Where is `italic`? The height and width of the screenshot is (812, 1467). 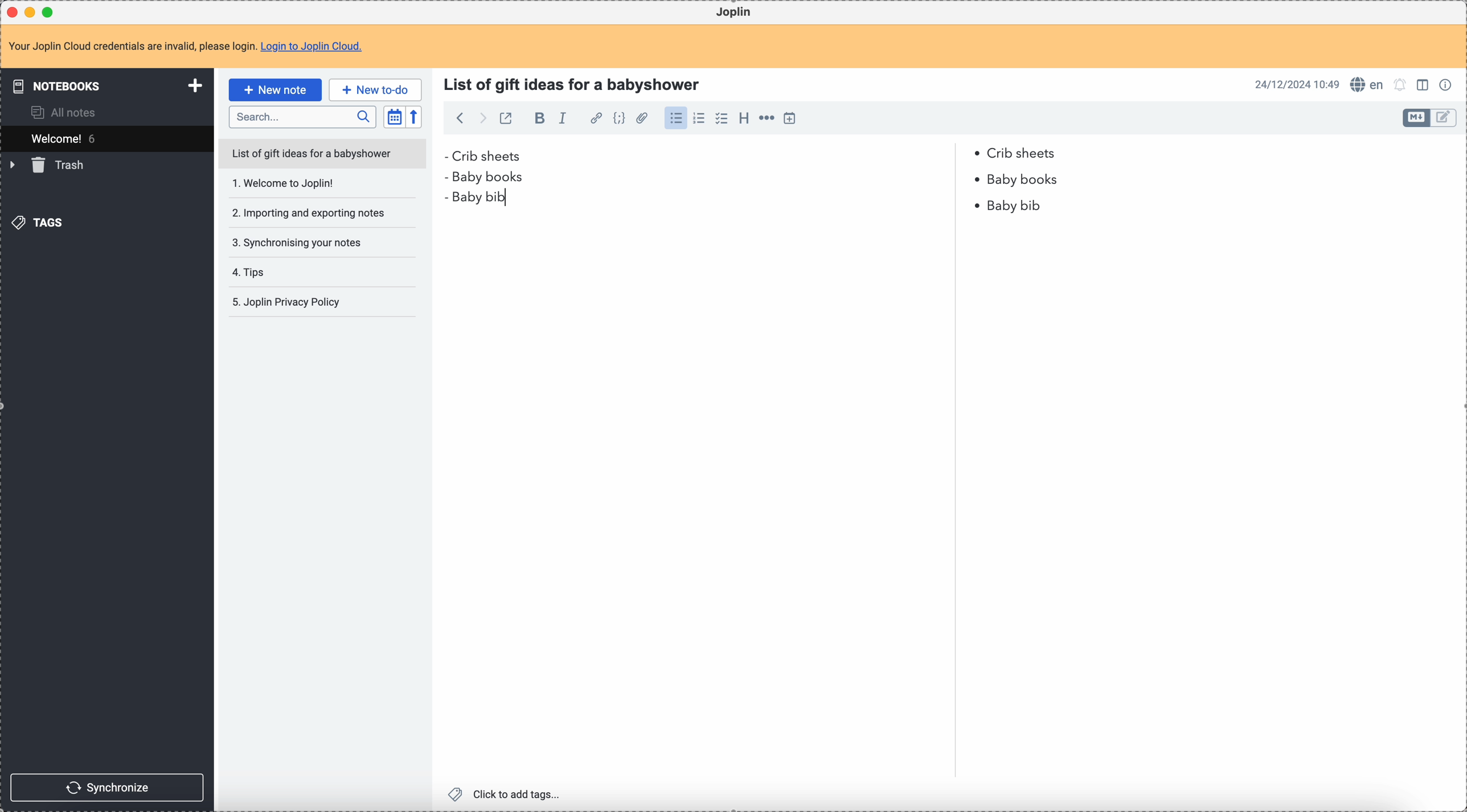
italic is located at coordinates (564, 119).